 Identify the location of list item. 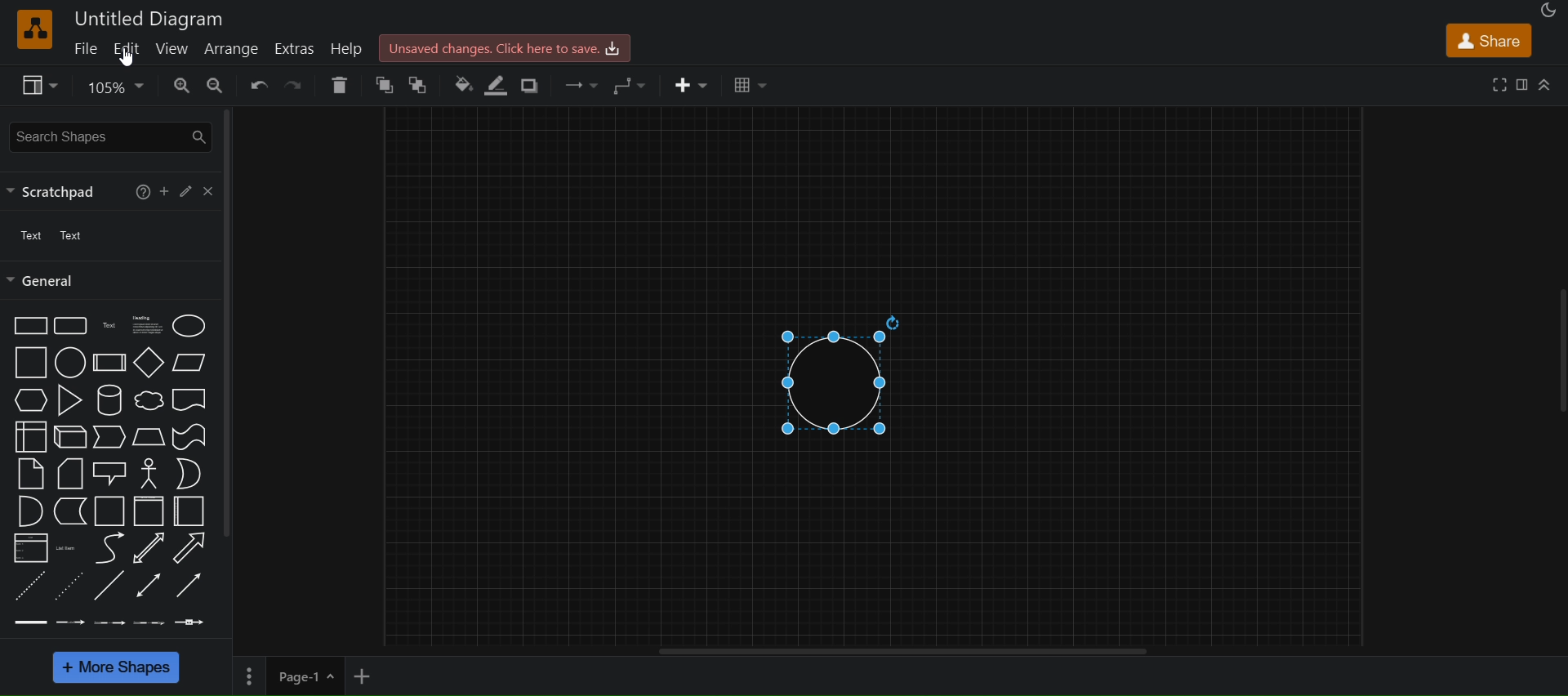
(68, 548).